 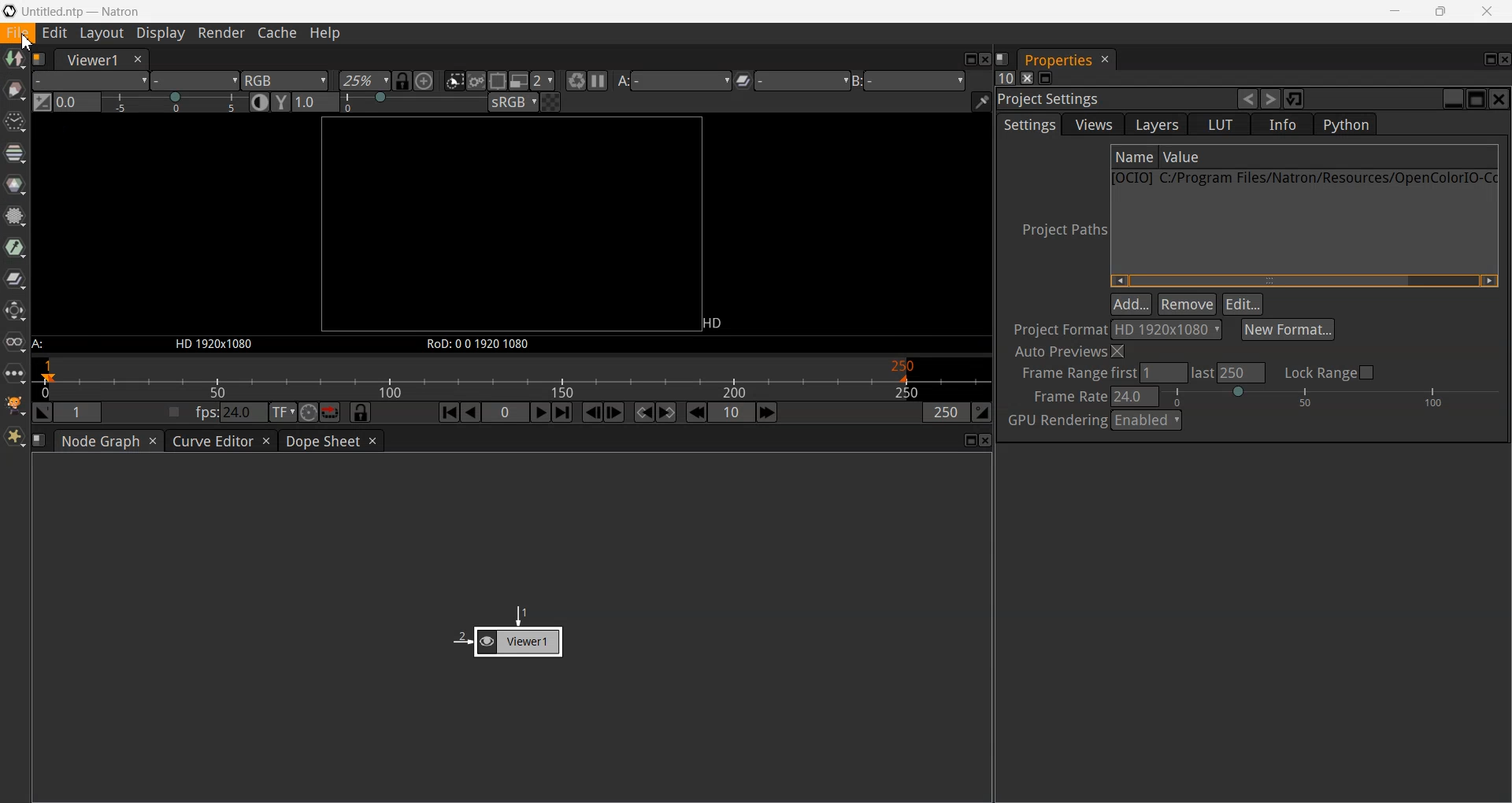 What do you see at coordinates (15, 278) in the screenshot?
I see `Merge` at bounding box center [15, 278].